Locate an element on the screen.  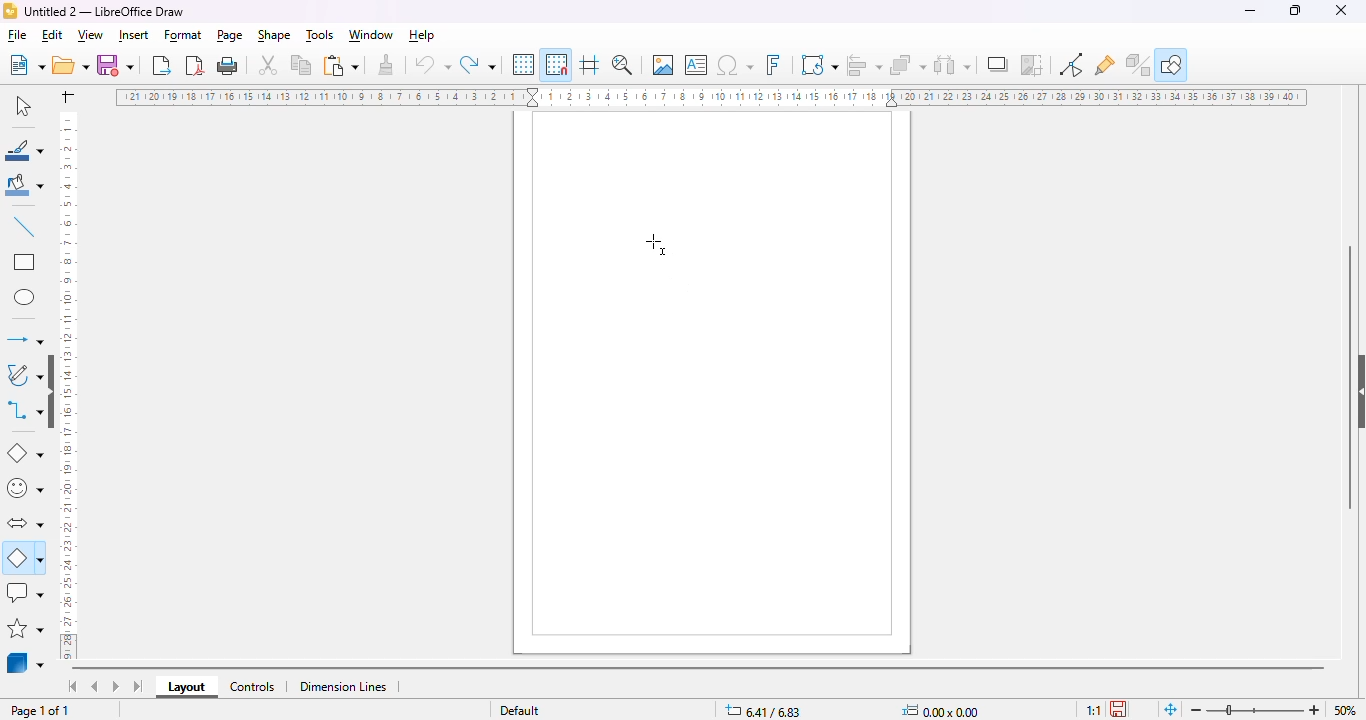
select is located at coordinates (22, 105).